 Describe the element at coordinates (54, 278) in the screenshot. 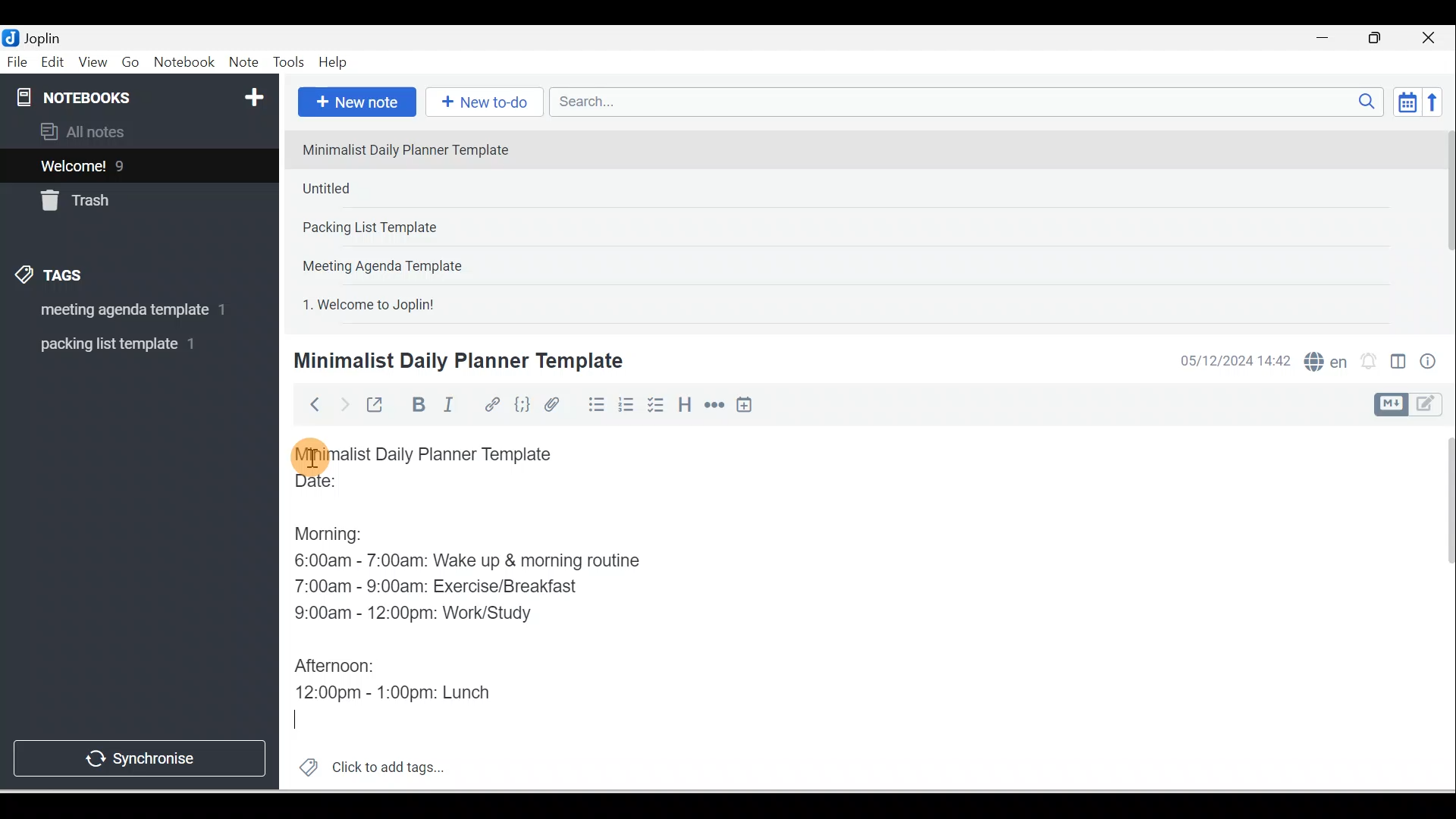

I see `Tags` at that location.